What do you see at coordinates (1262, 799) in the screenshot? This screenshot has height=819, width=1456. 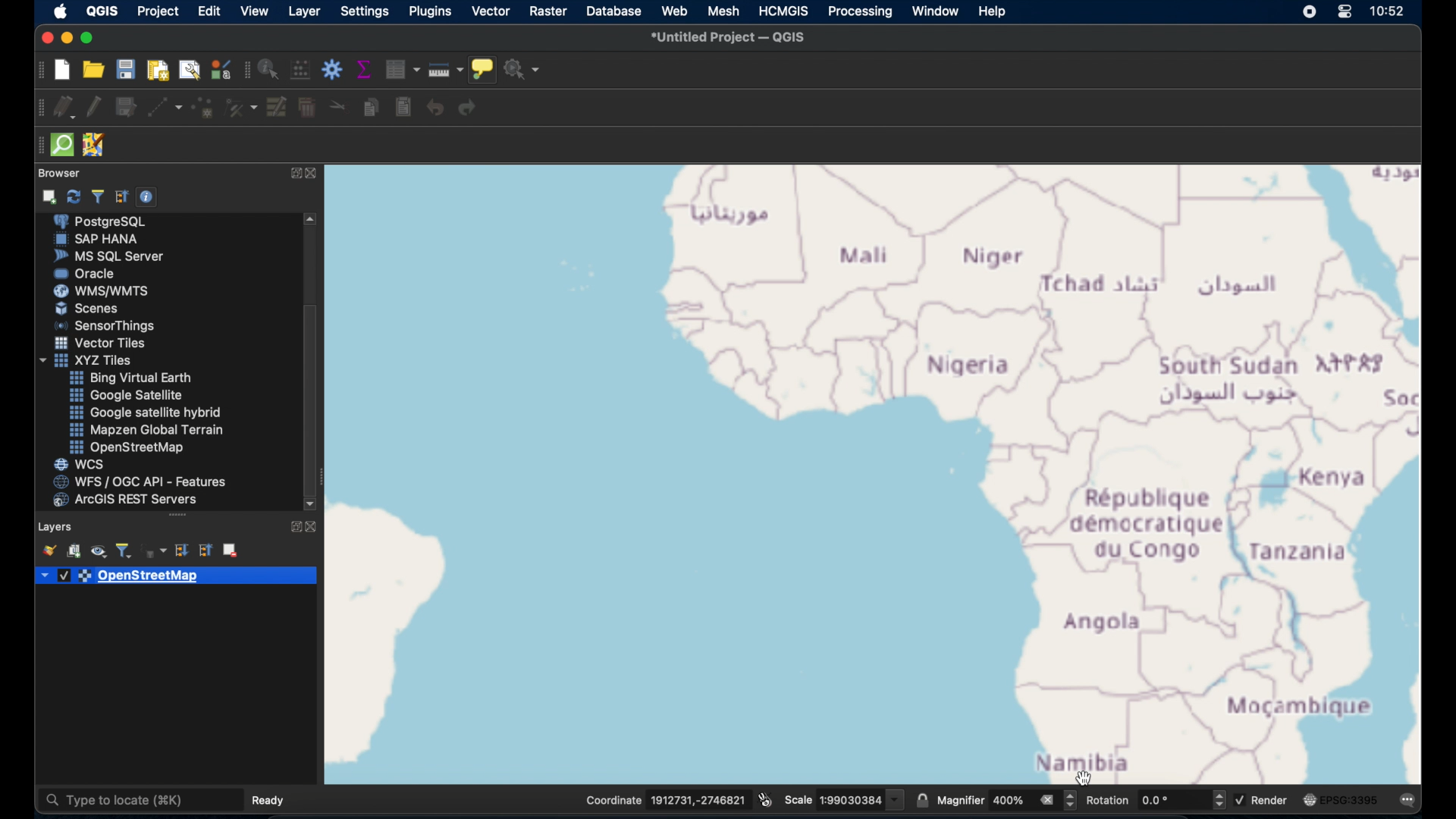 I see `render` at bounding box center [1262, 799].